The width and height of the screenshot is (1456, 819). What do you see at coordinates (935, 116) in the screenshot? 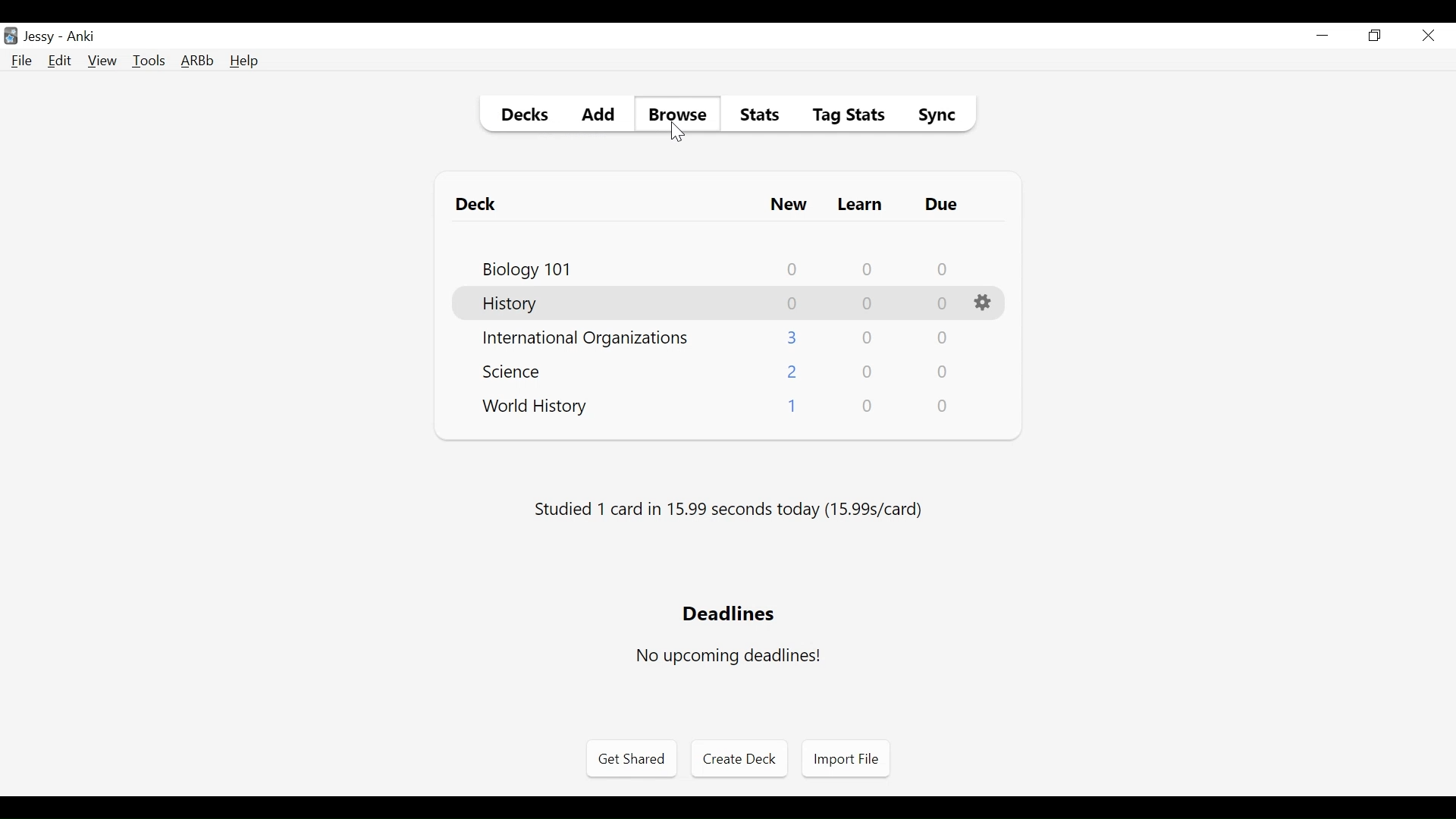
I see `Sync` at bounding box center [935, 116].